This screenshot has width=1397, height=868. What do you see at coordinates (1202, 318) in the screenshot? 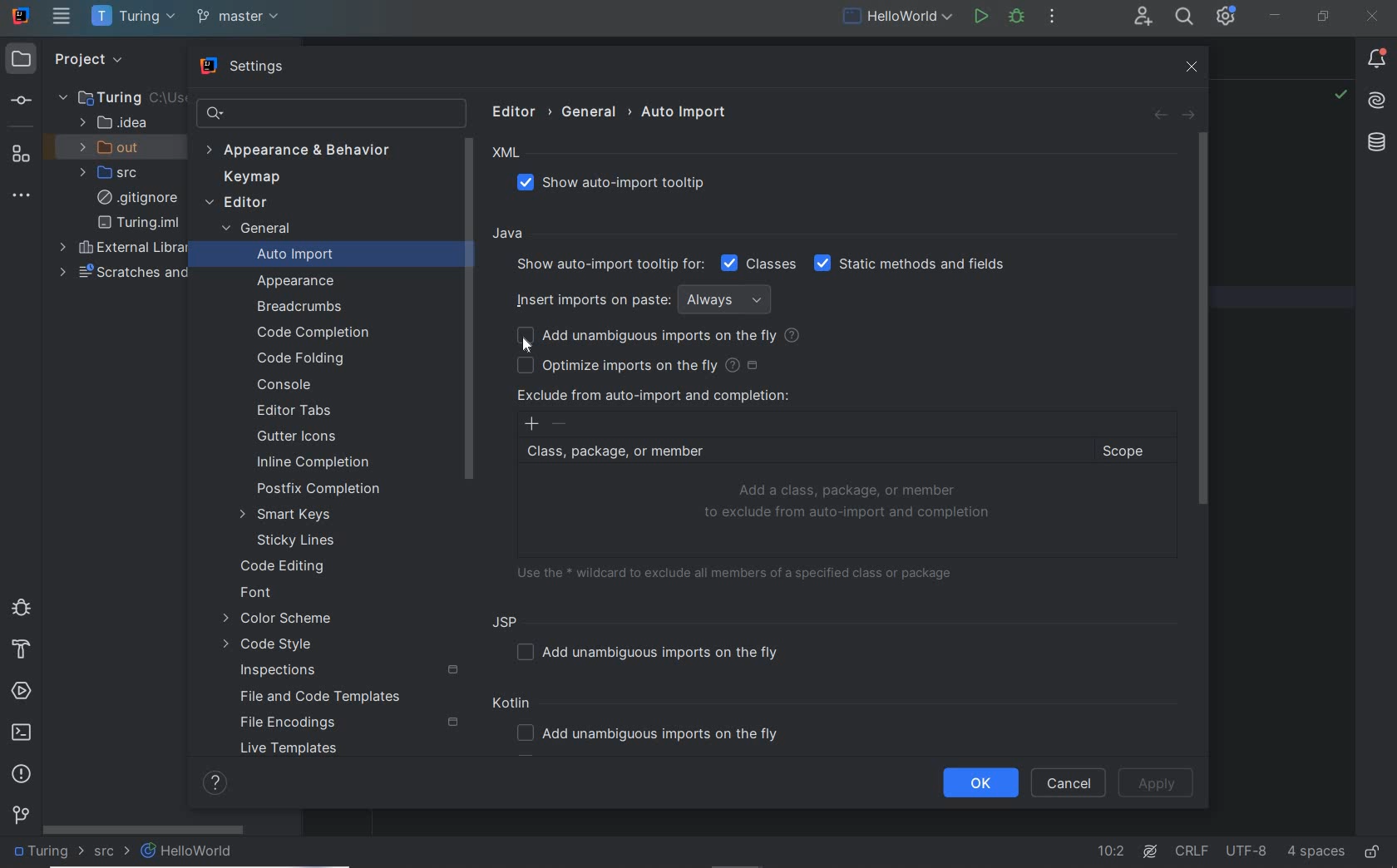
I see `SCROLLBAR` at bounding box center [1202, 318].